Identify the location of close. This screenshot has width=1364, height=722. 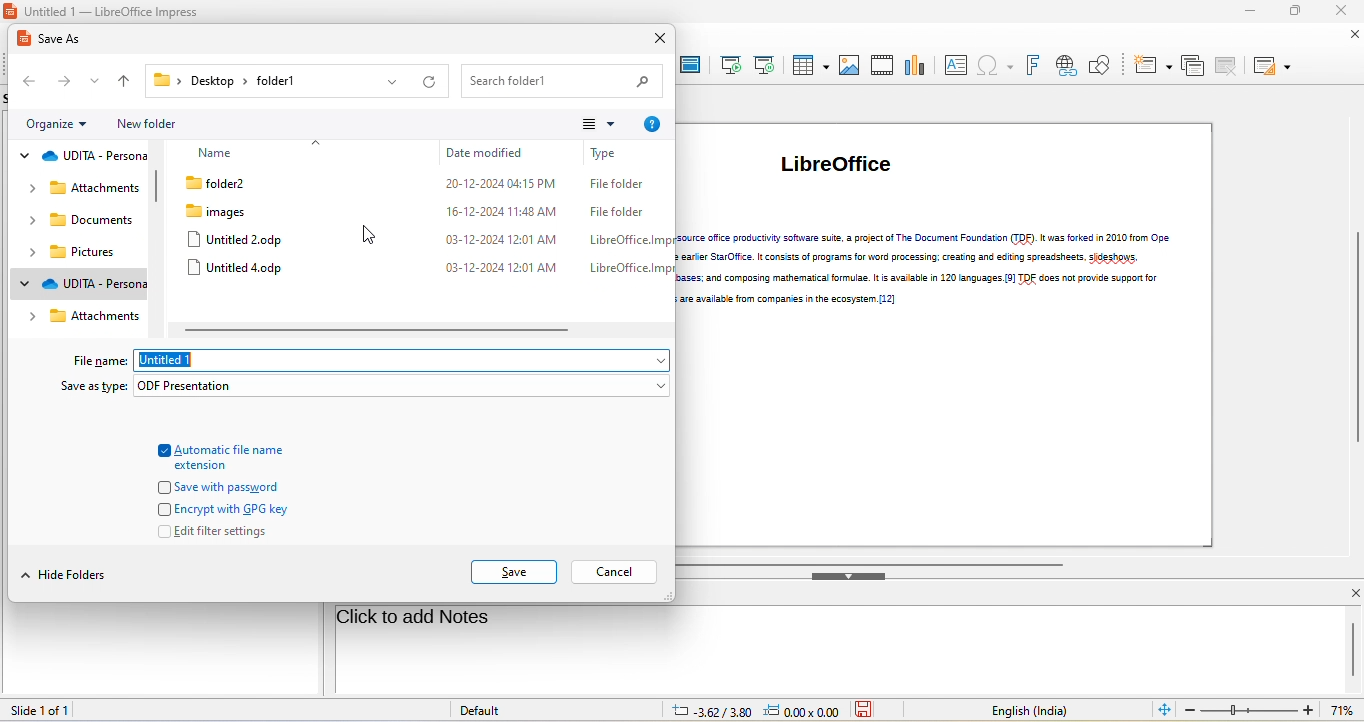
(656, 40).